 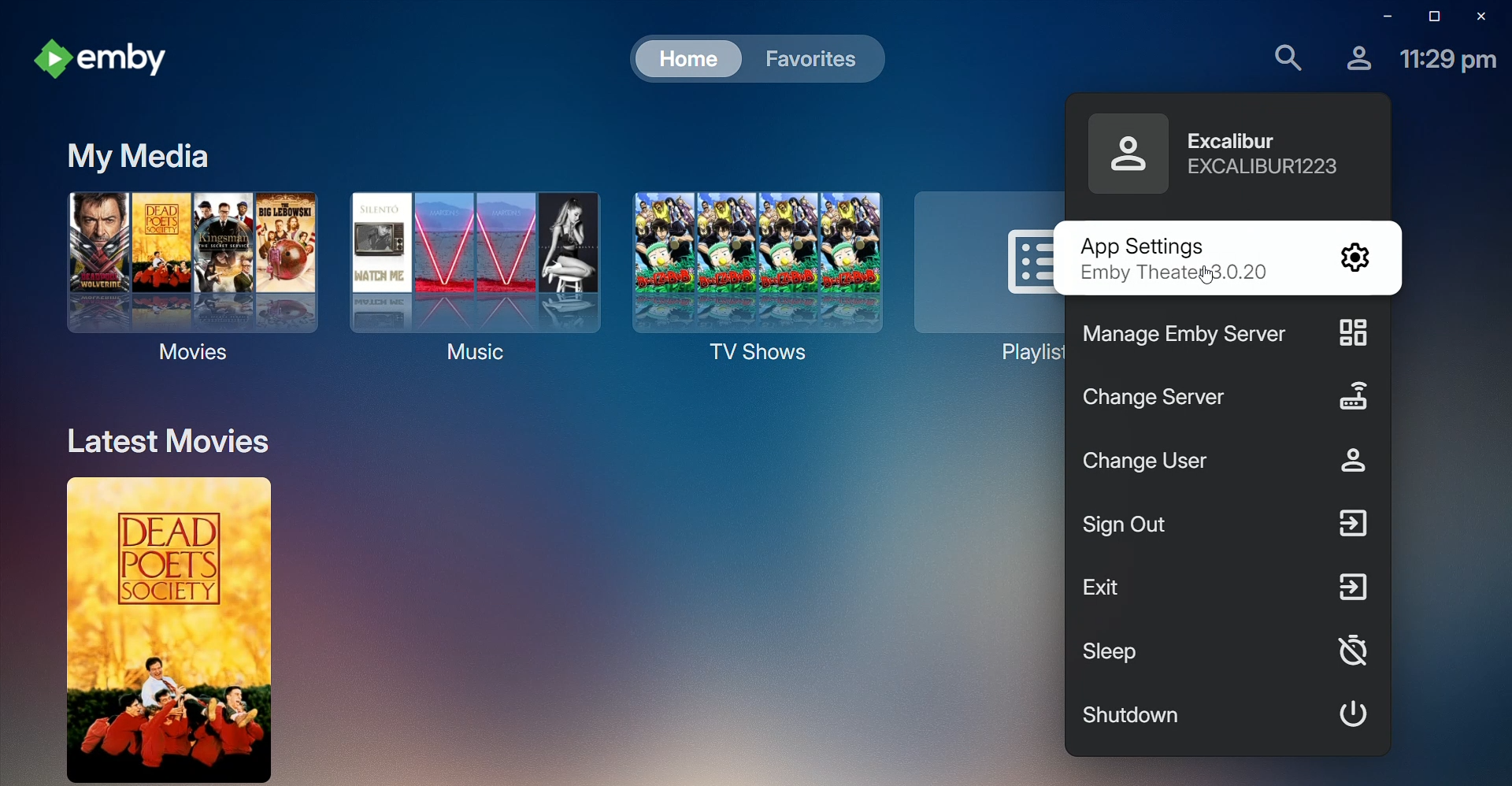 I want to click on Movies, so click(x=184, y=276).